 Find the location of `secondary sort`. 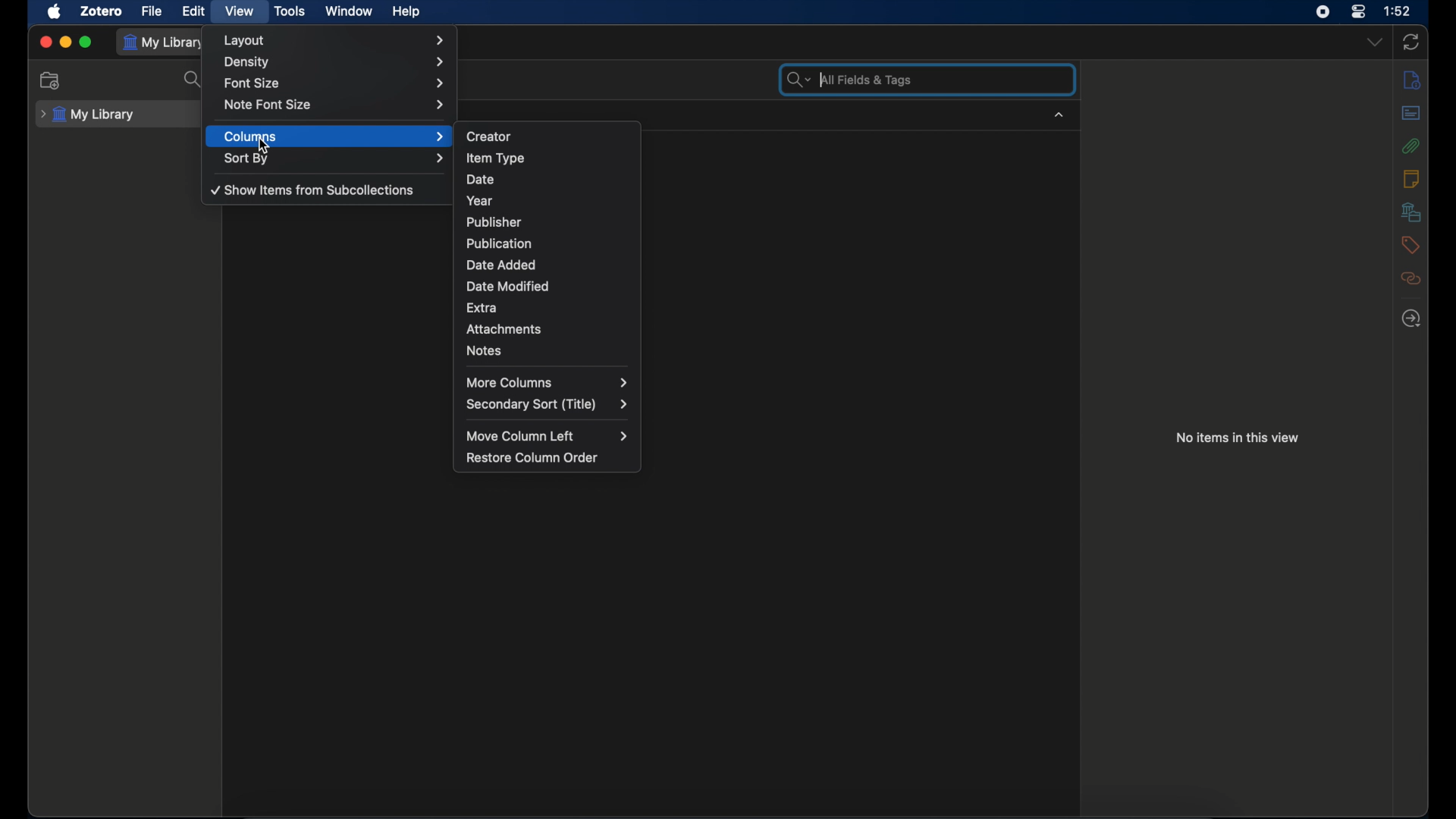

secondary sort is located at coordinates (547, 405).